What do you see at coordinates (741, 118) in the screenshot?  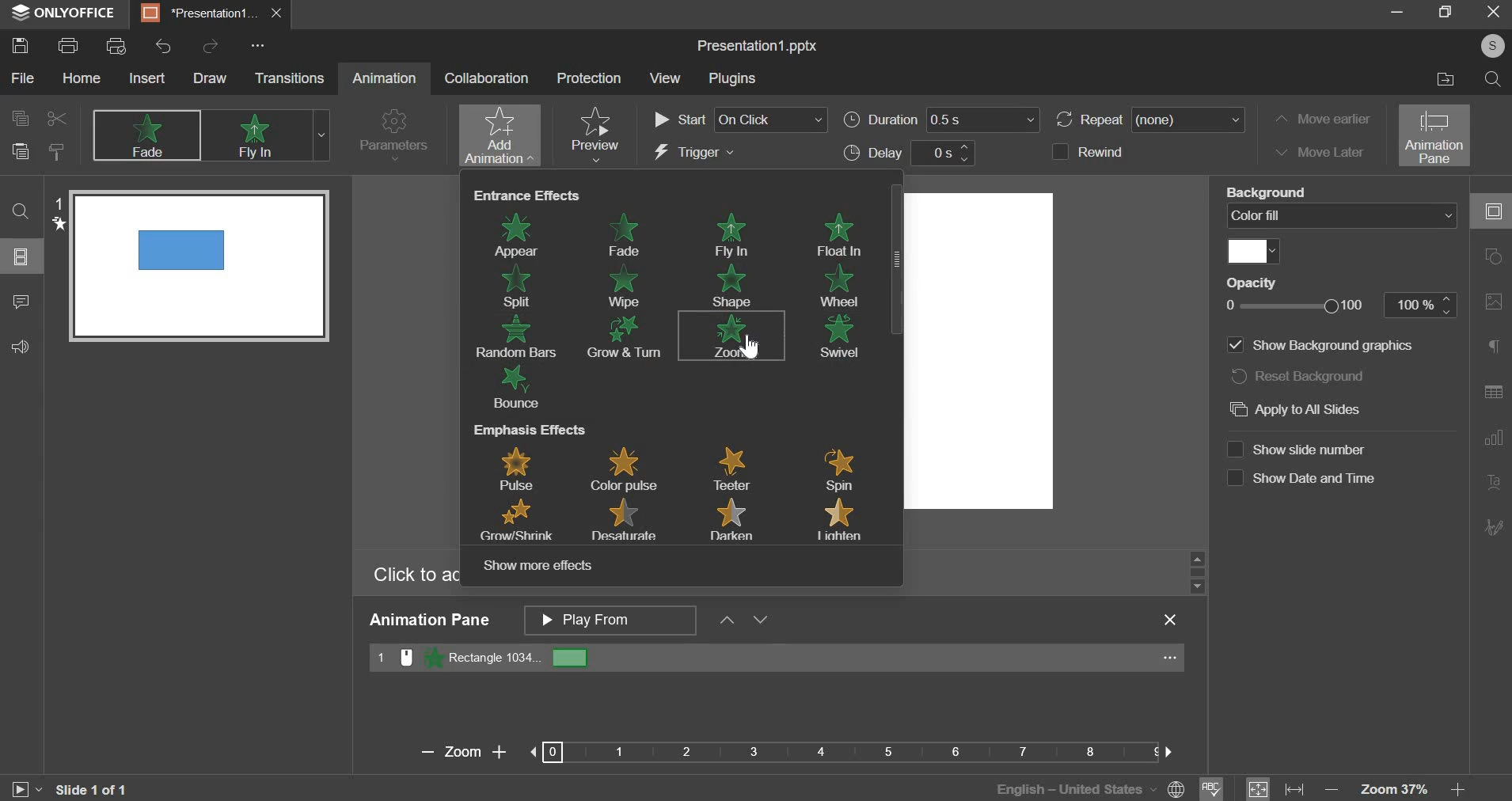 I see `start` at bounding box center [741, 118].